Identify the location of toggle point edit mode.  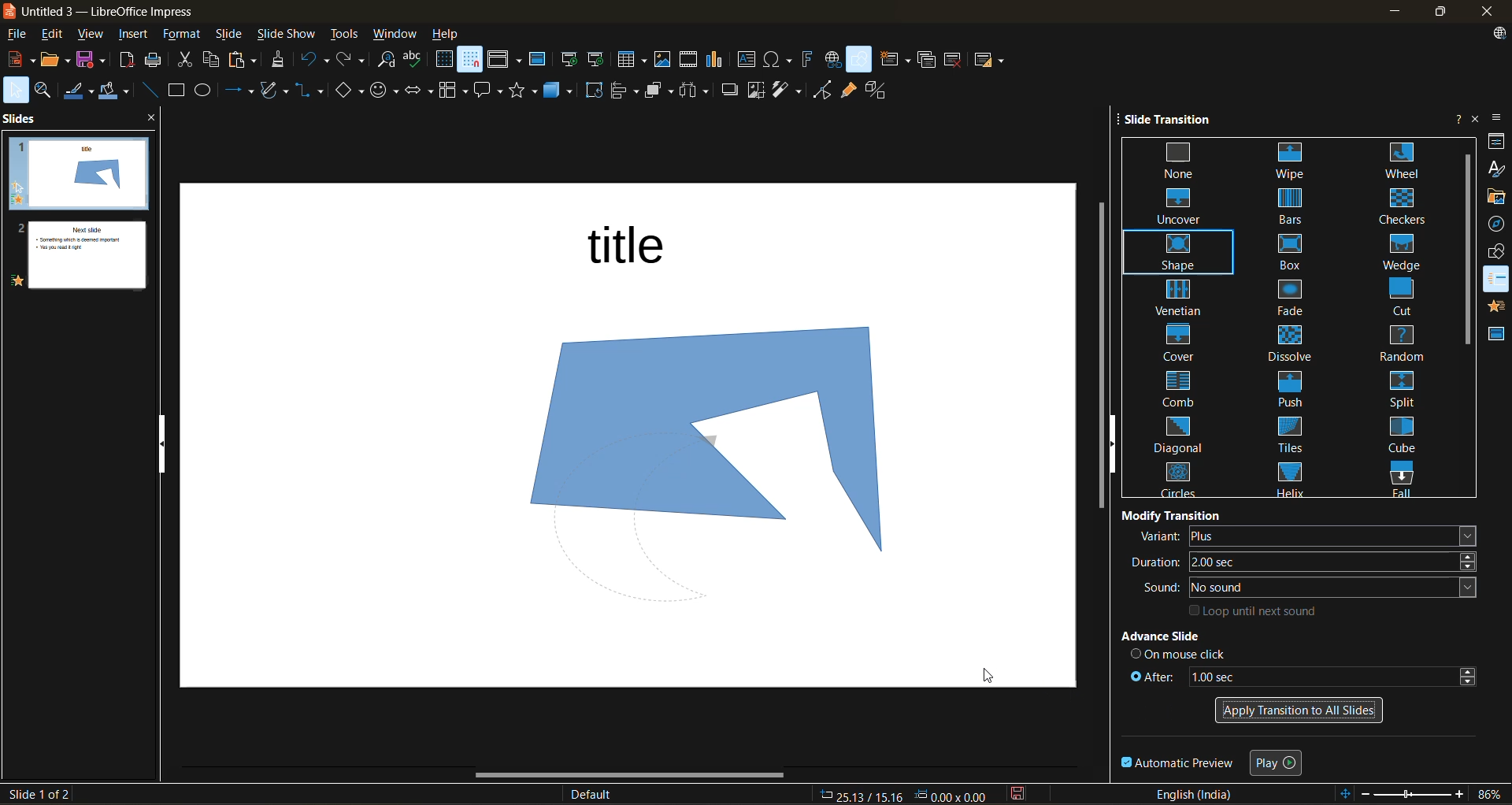
(823, 89).